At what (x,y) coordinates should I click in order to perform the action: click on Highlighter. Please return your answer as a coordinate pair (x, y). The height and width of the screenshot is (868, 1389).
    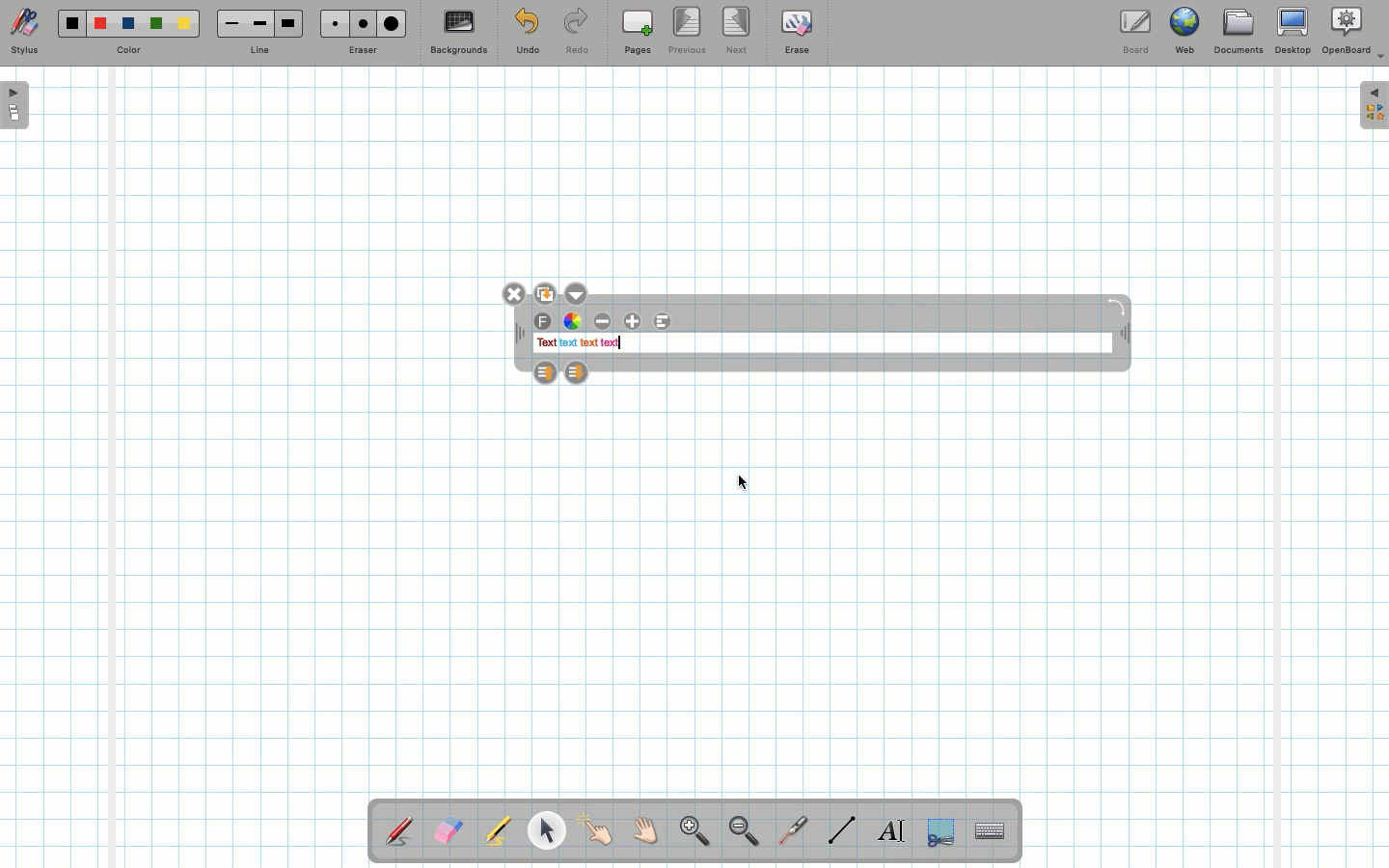
    Looking at the image, I should click on (496, 832).